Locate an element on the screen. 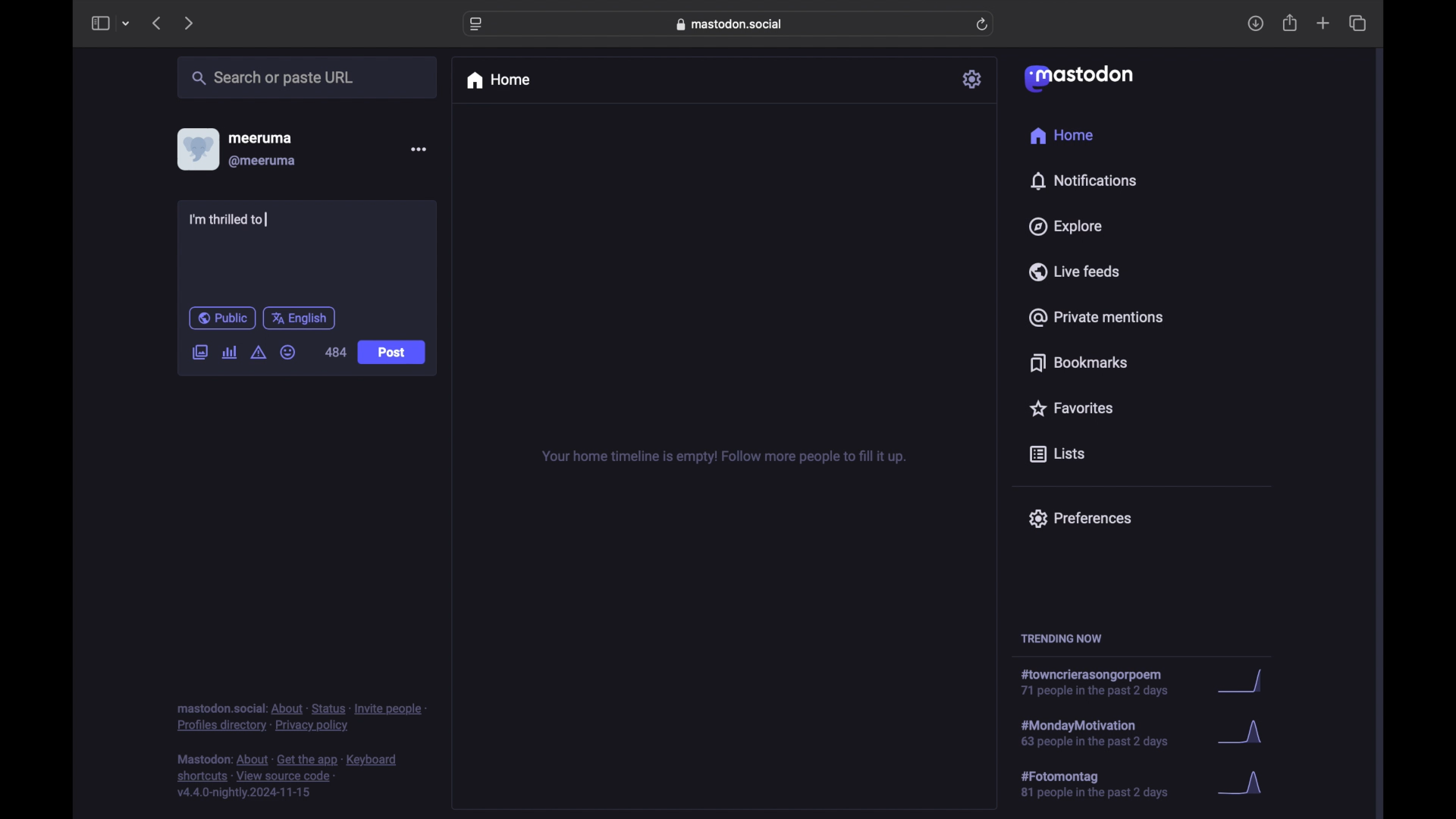  english is located at coordinates (299, 319).